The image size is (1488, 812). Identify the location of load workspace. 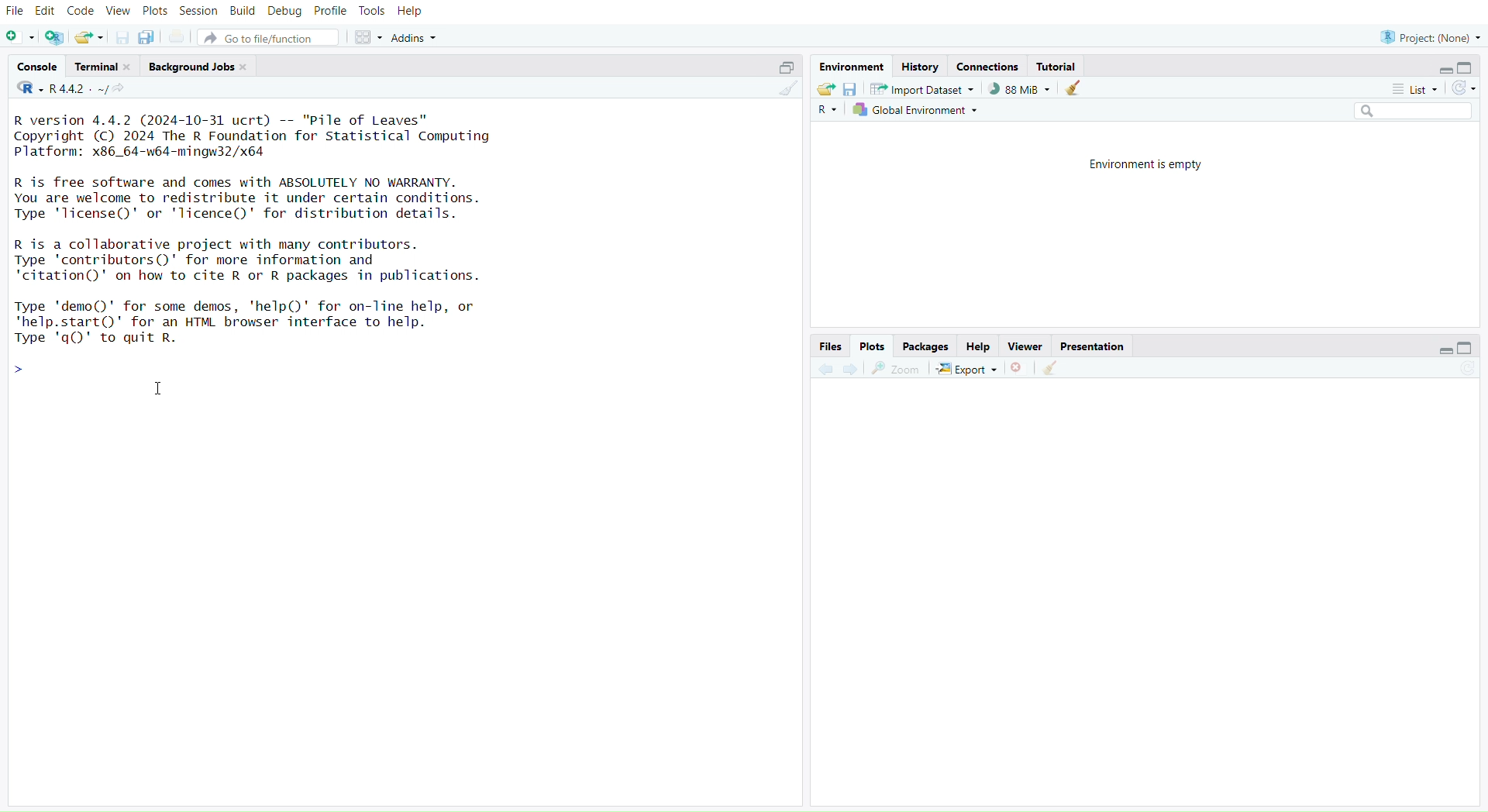
(825, 88).